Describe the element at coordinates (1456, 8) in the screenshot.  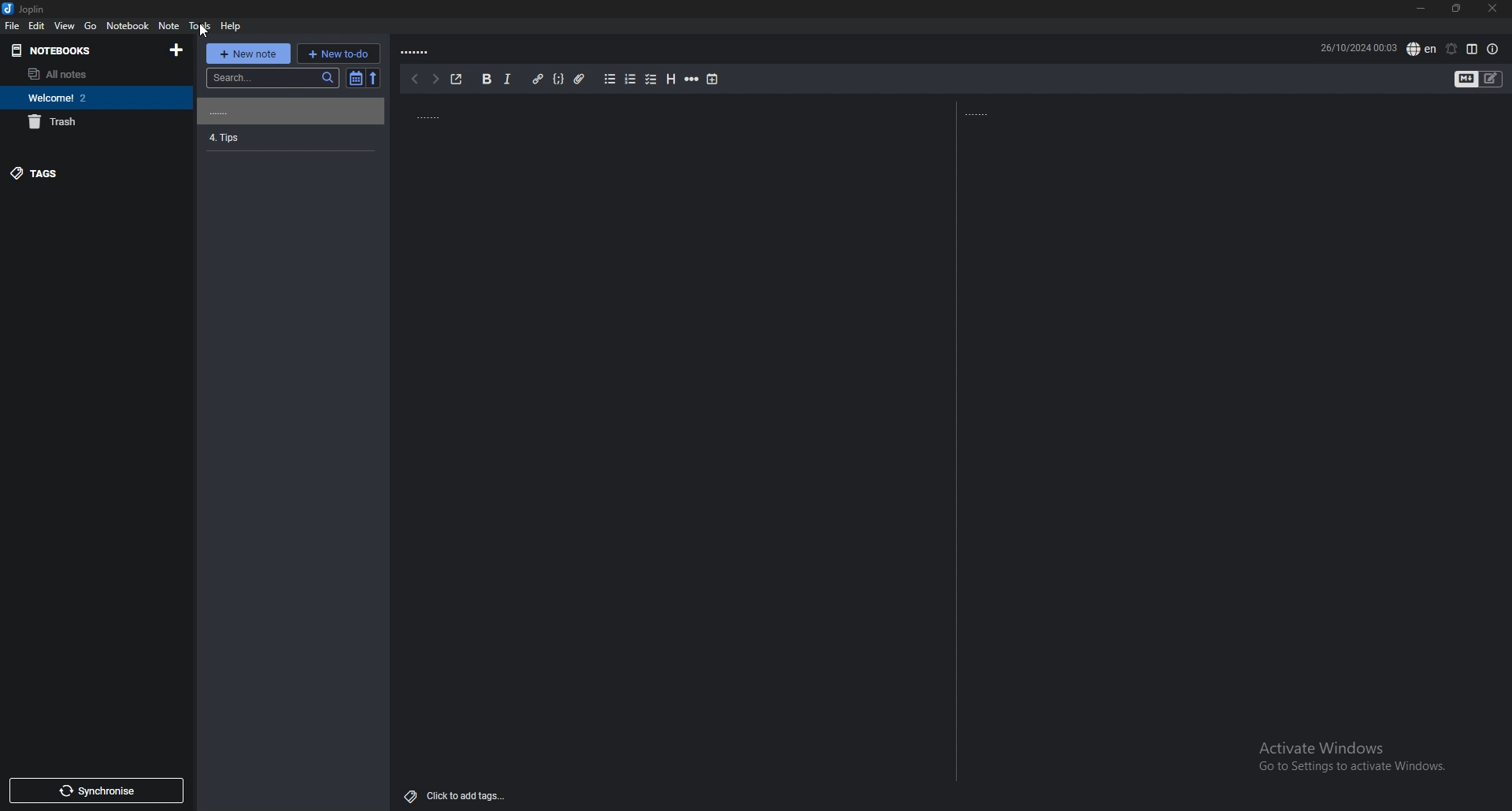
I see `resize` at that location.